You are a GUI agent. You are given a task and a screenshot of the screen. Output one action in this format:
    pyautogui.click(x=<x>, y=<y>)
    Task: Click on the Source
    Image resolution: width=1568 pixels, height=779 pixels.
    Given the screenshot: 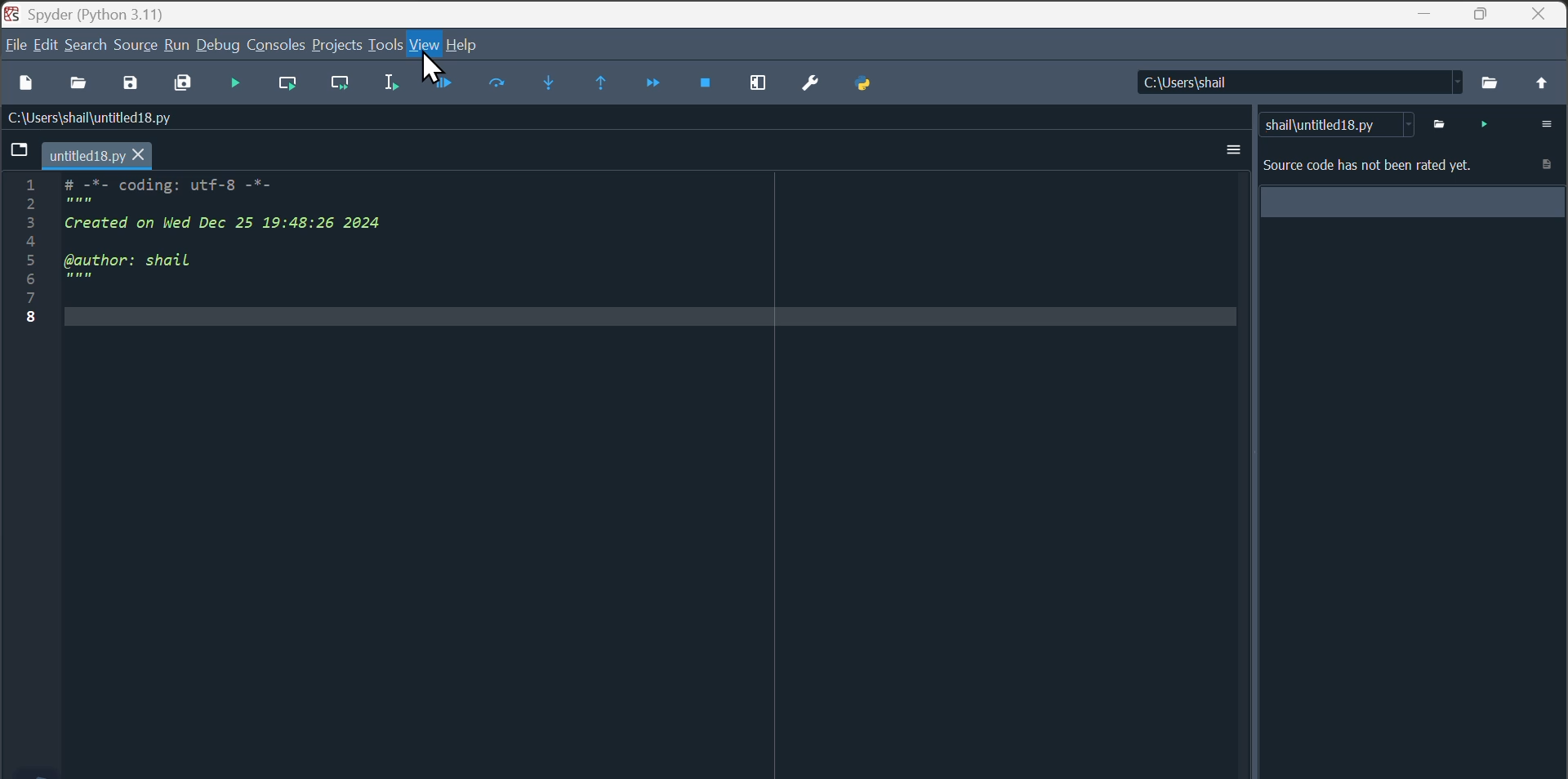 What is the action you would take?
    pyautogui.click(x=137, y=42)
    